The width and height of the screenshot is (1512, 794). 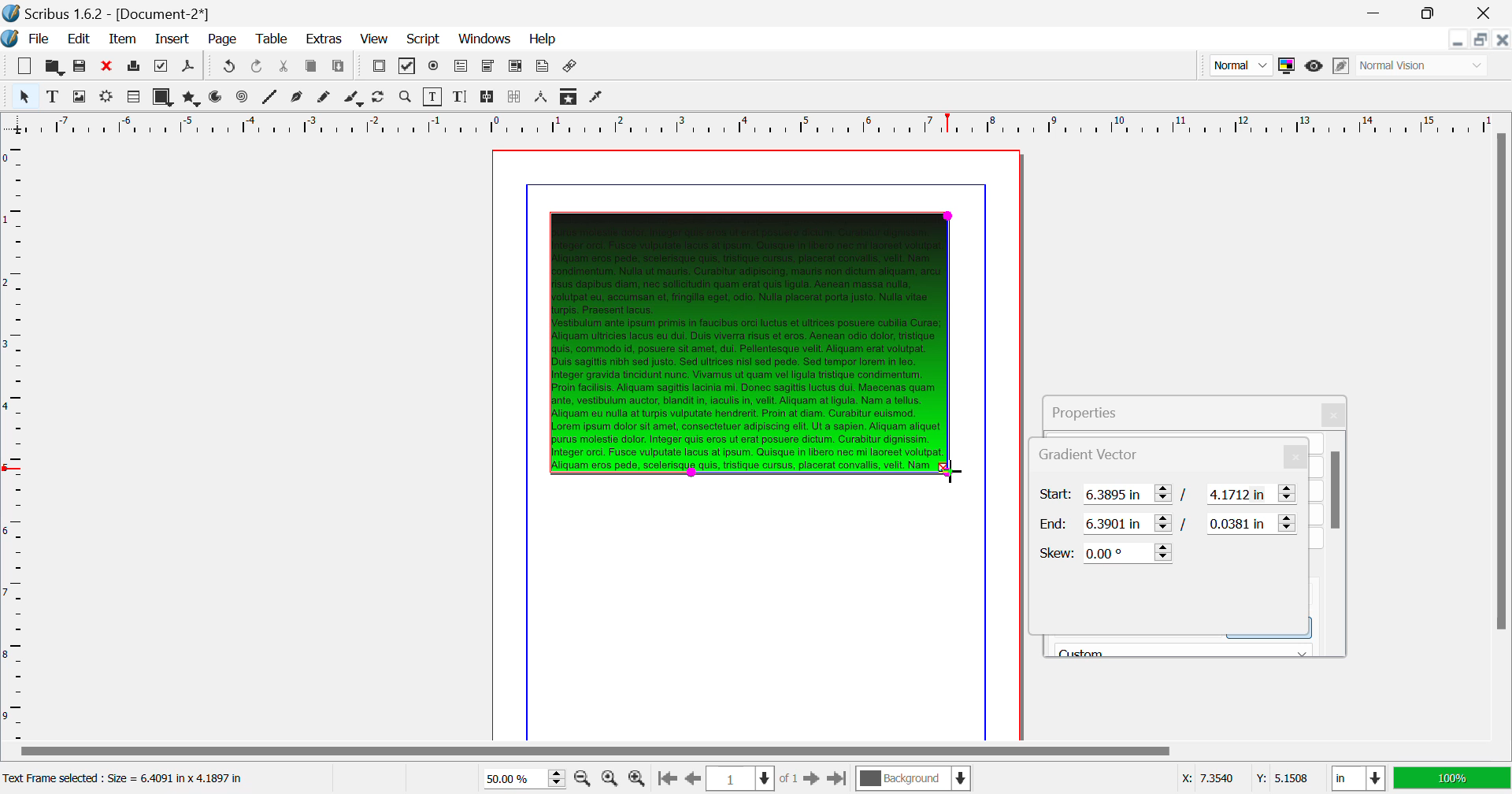 What do you see at coordinates (811, 777) in the screenshot?
I see `Next Page` at bounding box center [811, 777].